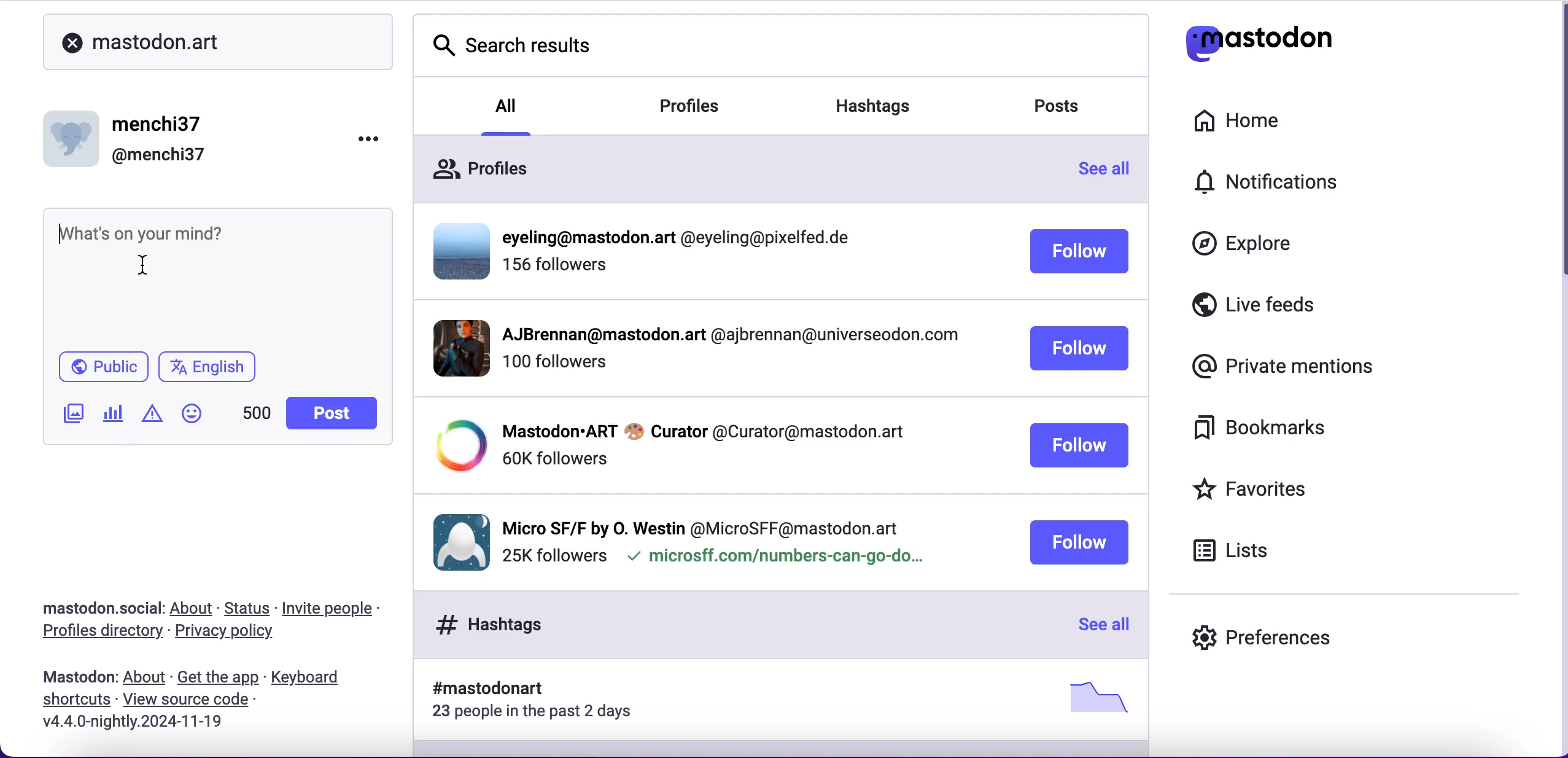 This screenshot has width=1568, height=758. What do you see at coordinates (1297, 305) in the screenshot?
I see `live feeds` at bounding box center [1297, 305].